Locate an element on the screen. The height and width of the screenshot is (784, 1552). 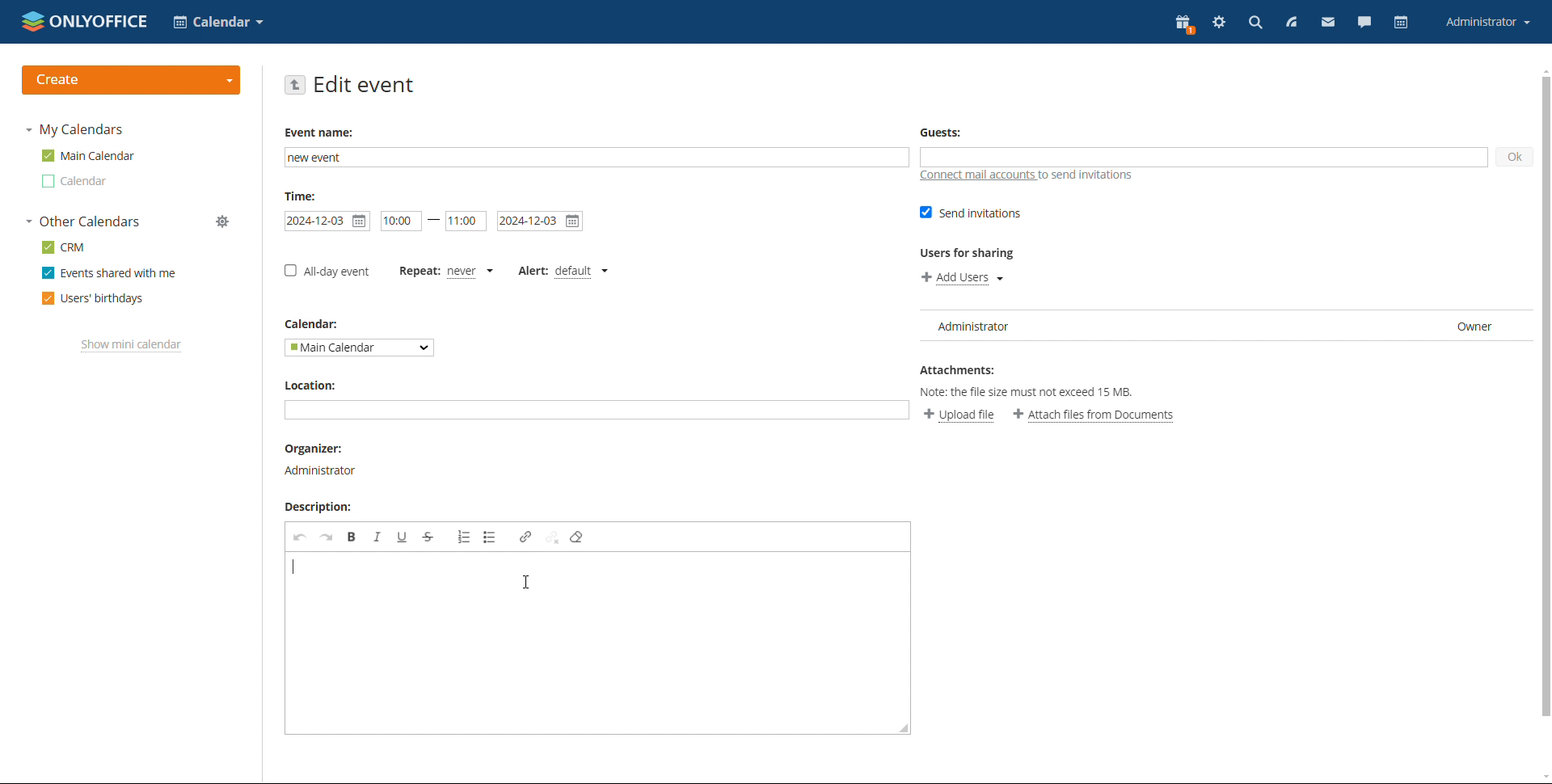
other calendars is located at coordinates (84, 221).